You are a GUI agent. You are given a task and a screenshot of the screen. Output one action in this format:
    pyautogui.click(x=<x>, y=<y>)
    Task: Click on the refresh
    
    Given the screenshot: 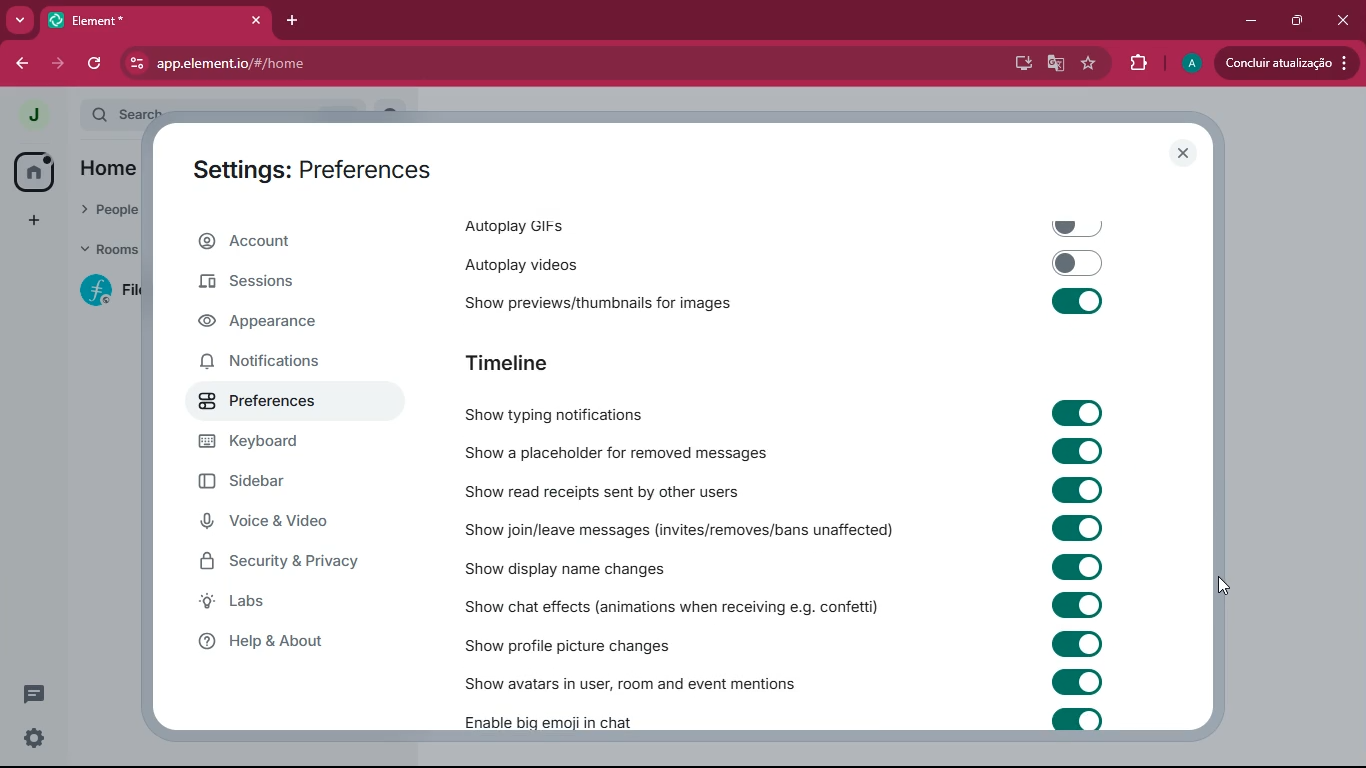 What is the action you would take?
    pyautogui.click(x=94, y=65)
    